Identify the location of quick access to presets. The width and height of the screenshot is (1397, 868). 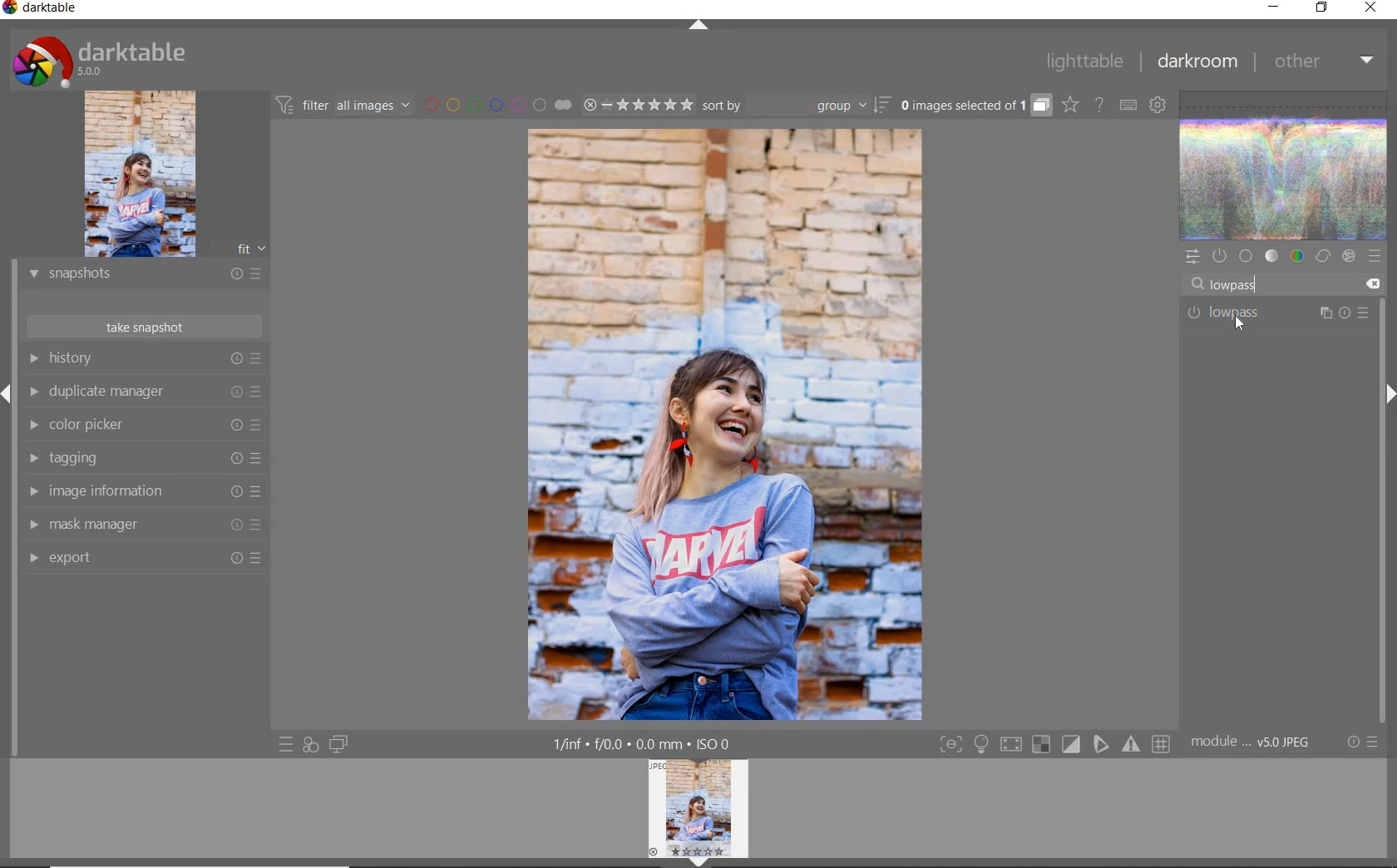
(288, 743).